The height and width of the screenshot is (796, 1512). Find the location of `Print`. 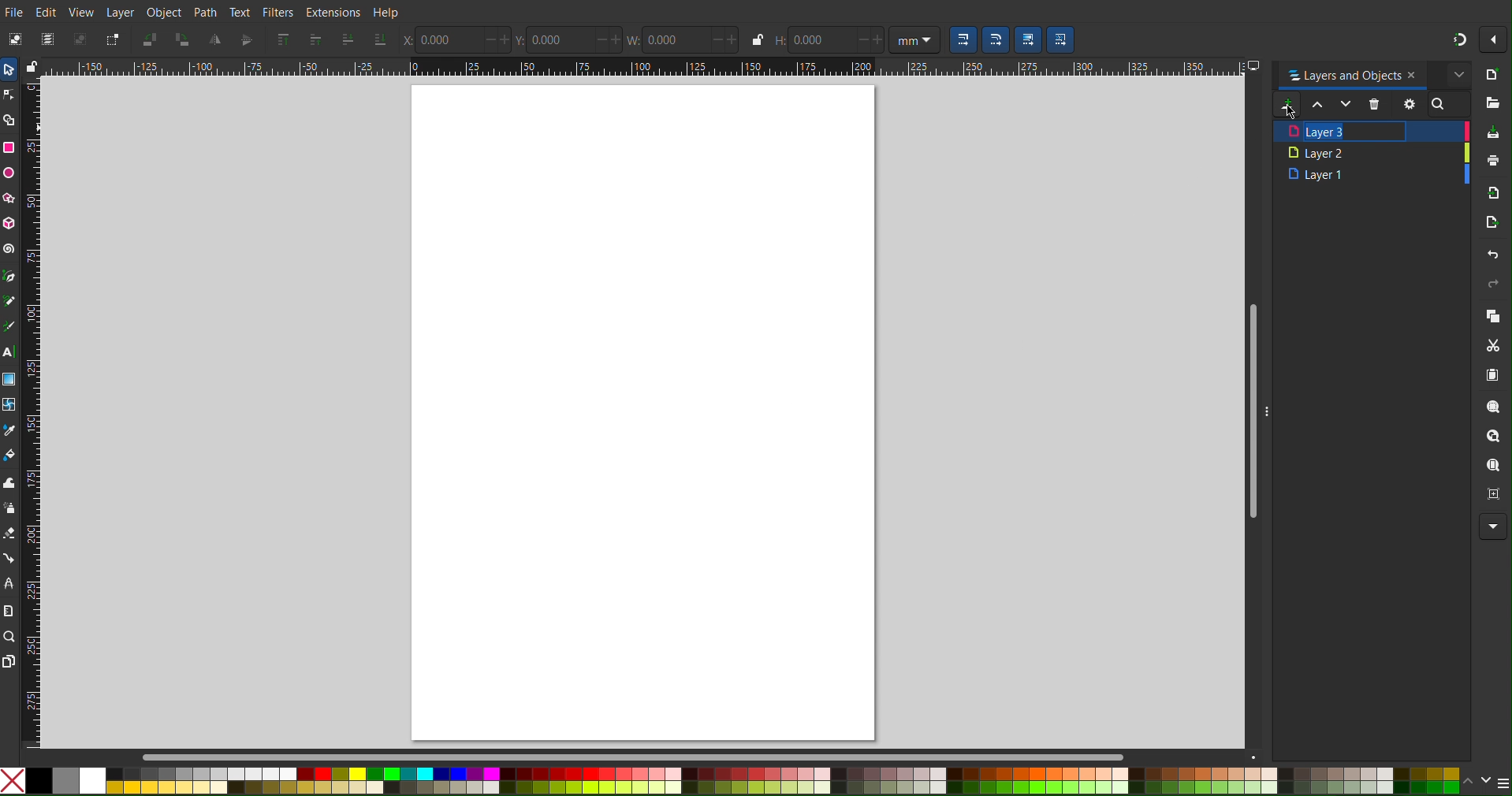

Print is located at coordinates (1492, 161).